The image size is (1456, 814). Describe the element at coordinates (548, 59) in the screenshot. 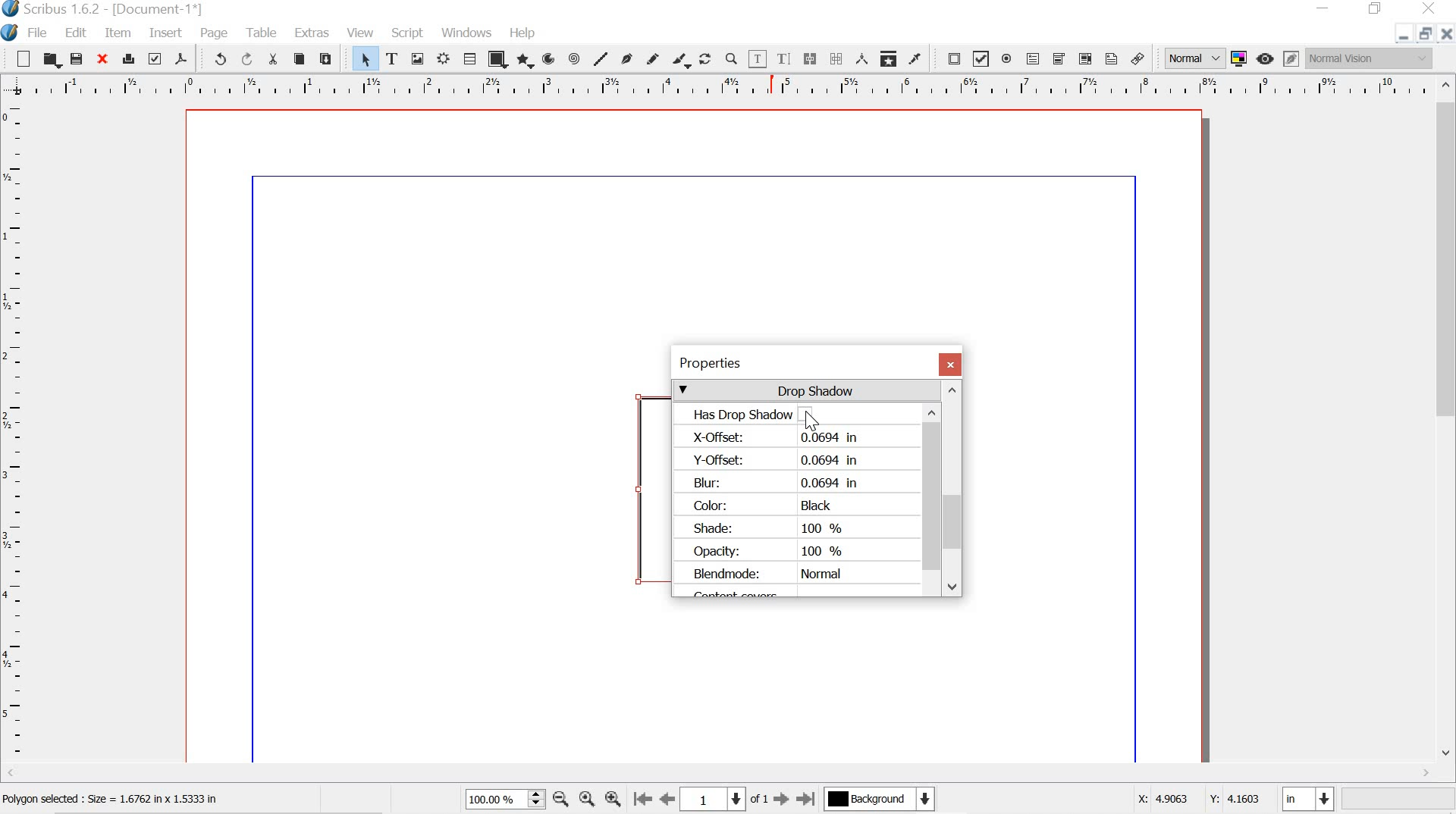

I see `arc` at that location.